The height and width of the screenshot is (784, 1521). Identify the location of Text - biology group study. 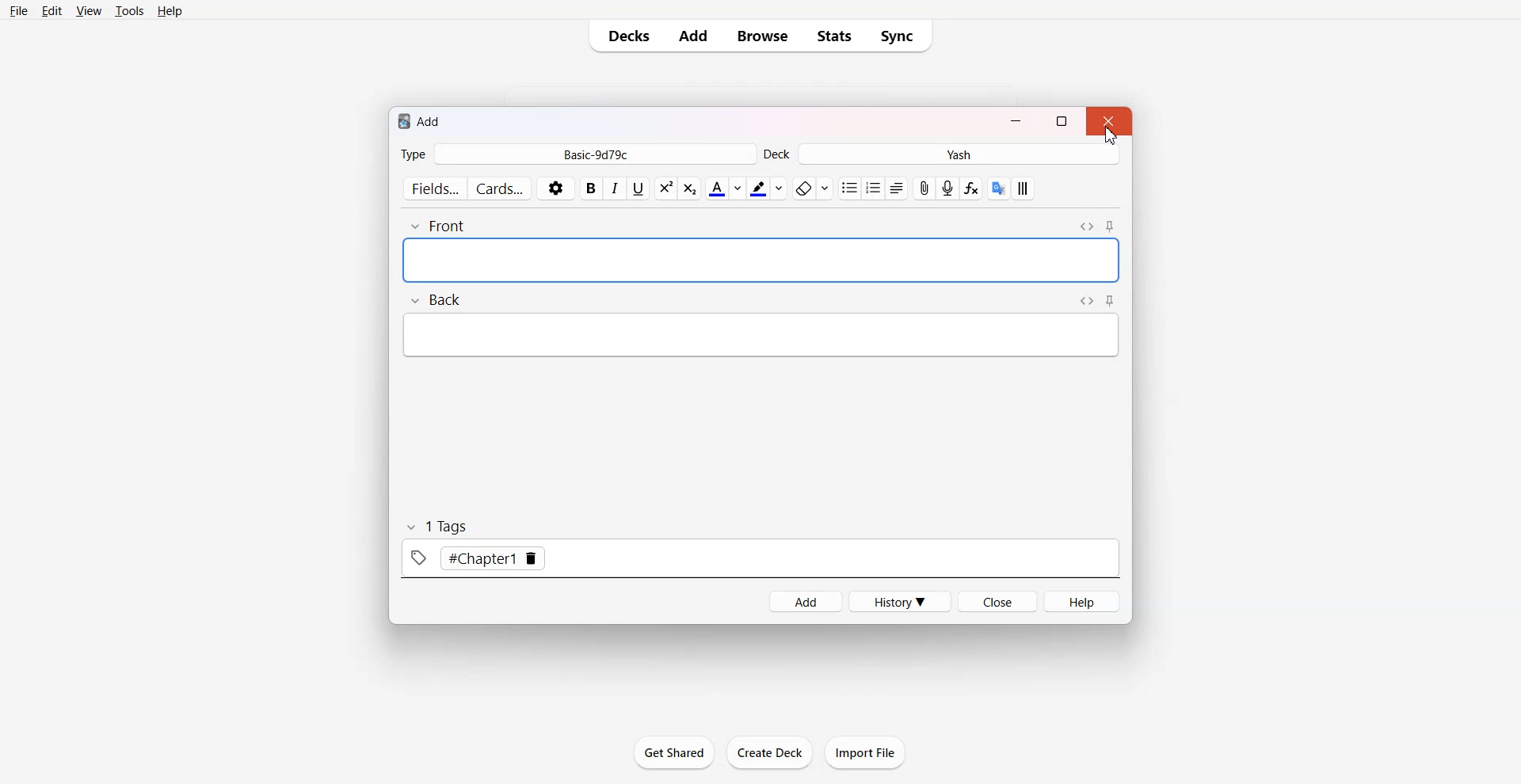
(529, 261).